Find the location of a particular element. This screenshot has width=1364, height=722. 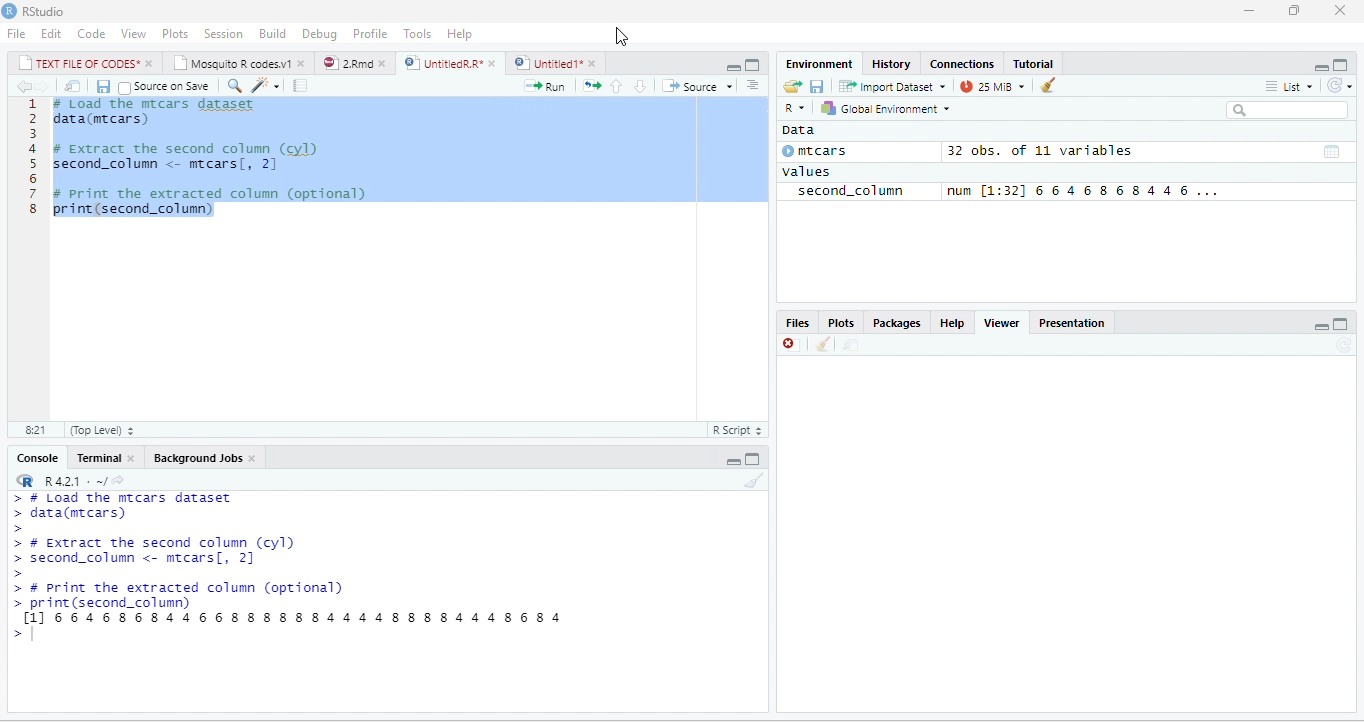

checkbox is located at coordinates (124, 87).